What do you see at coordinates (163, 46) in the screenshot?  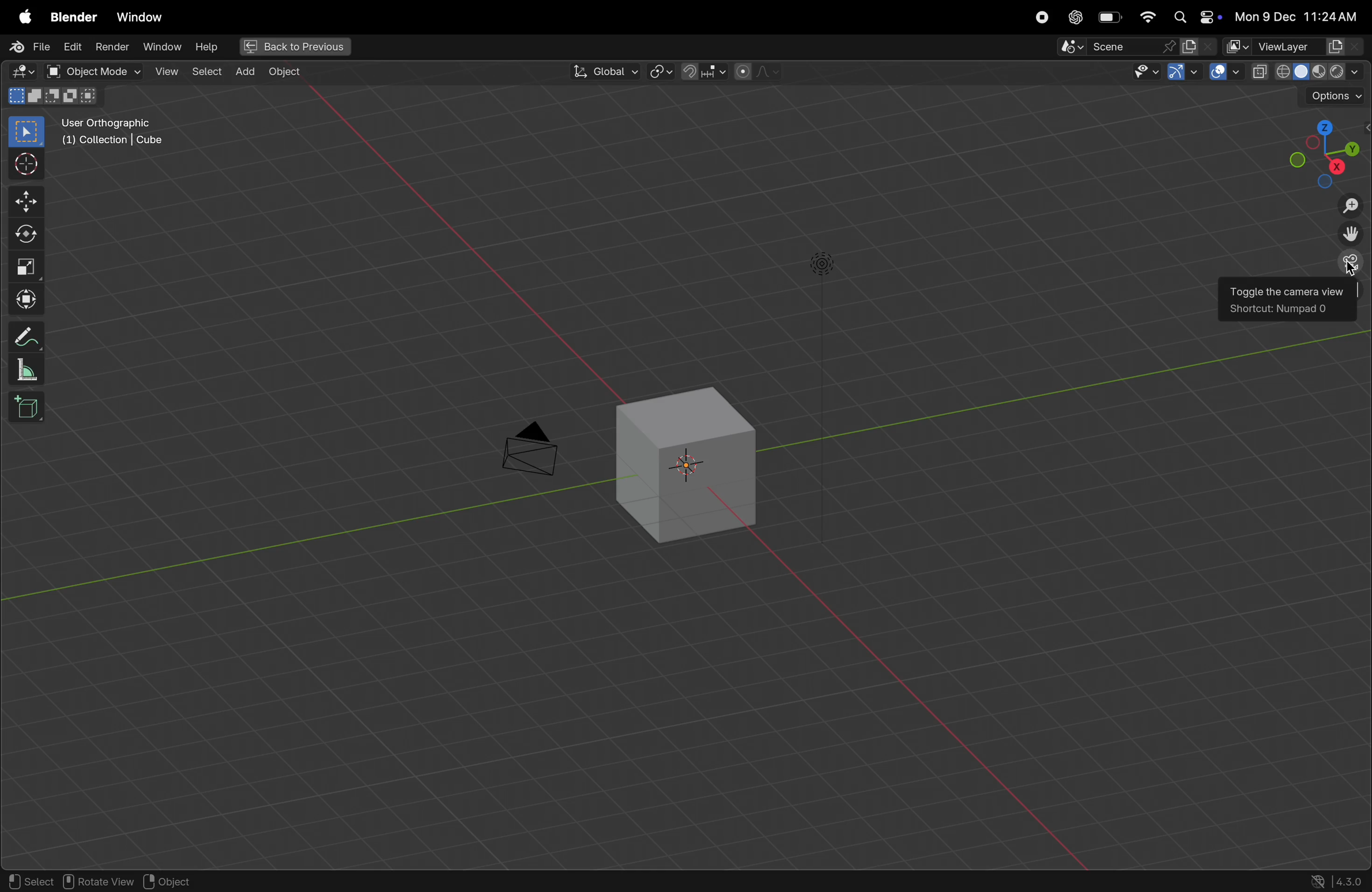 I see `window` at bounding box center [163, 46].